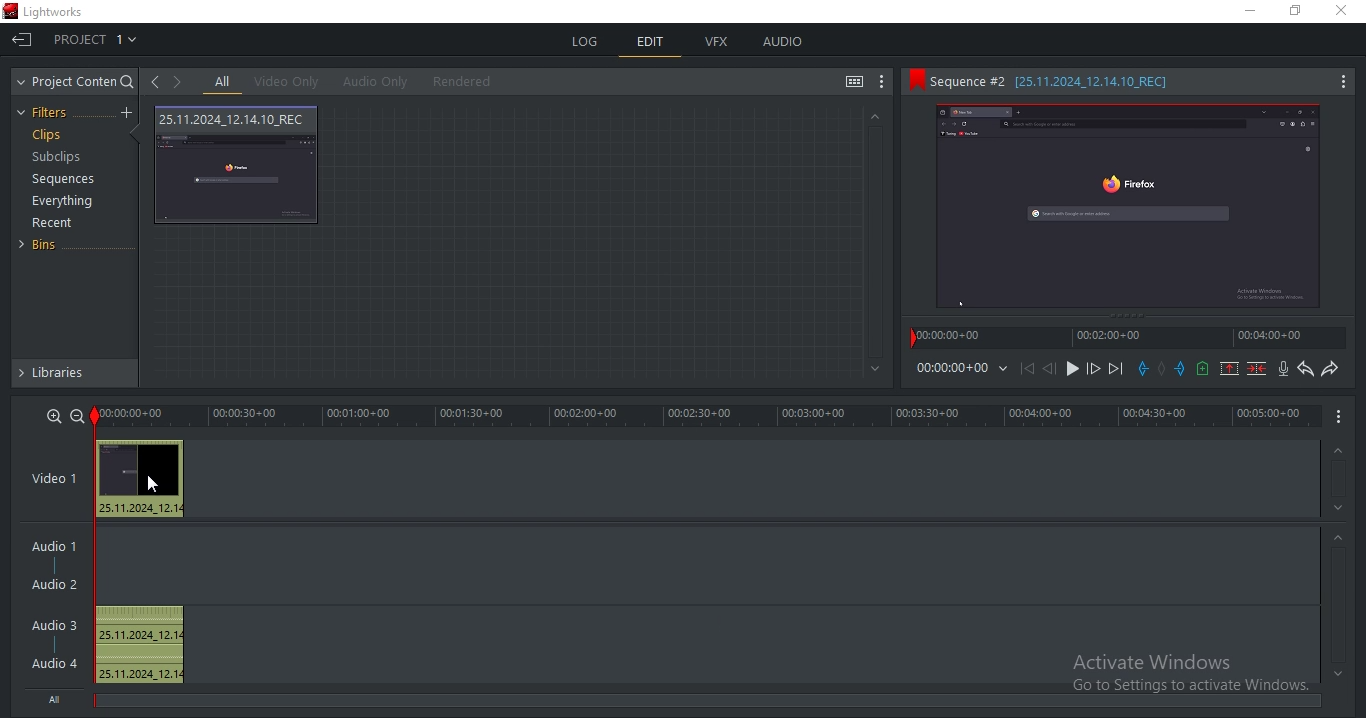  What do you see at coordinates (1180, 368) in the screenshot?
I see `add a out mark` at bounding box center [1180, 368].